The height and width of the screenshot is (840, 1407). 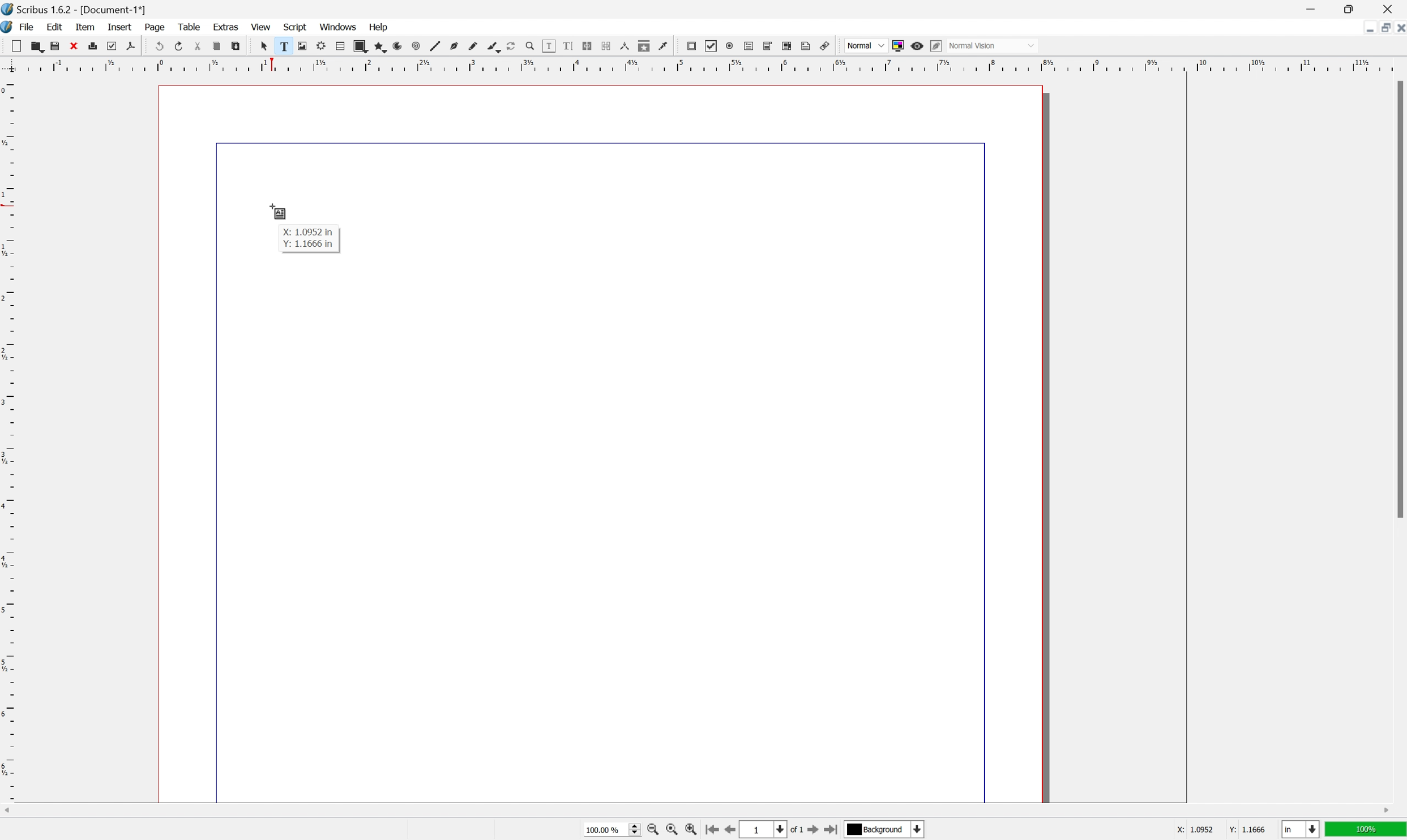 I want to click on cursor, so click(x=277, y=212).